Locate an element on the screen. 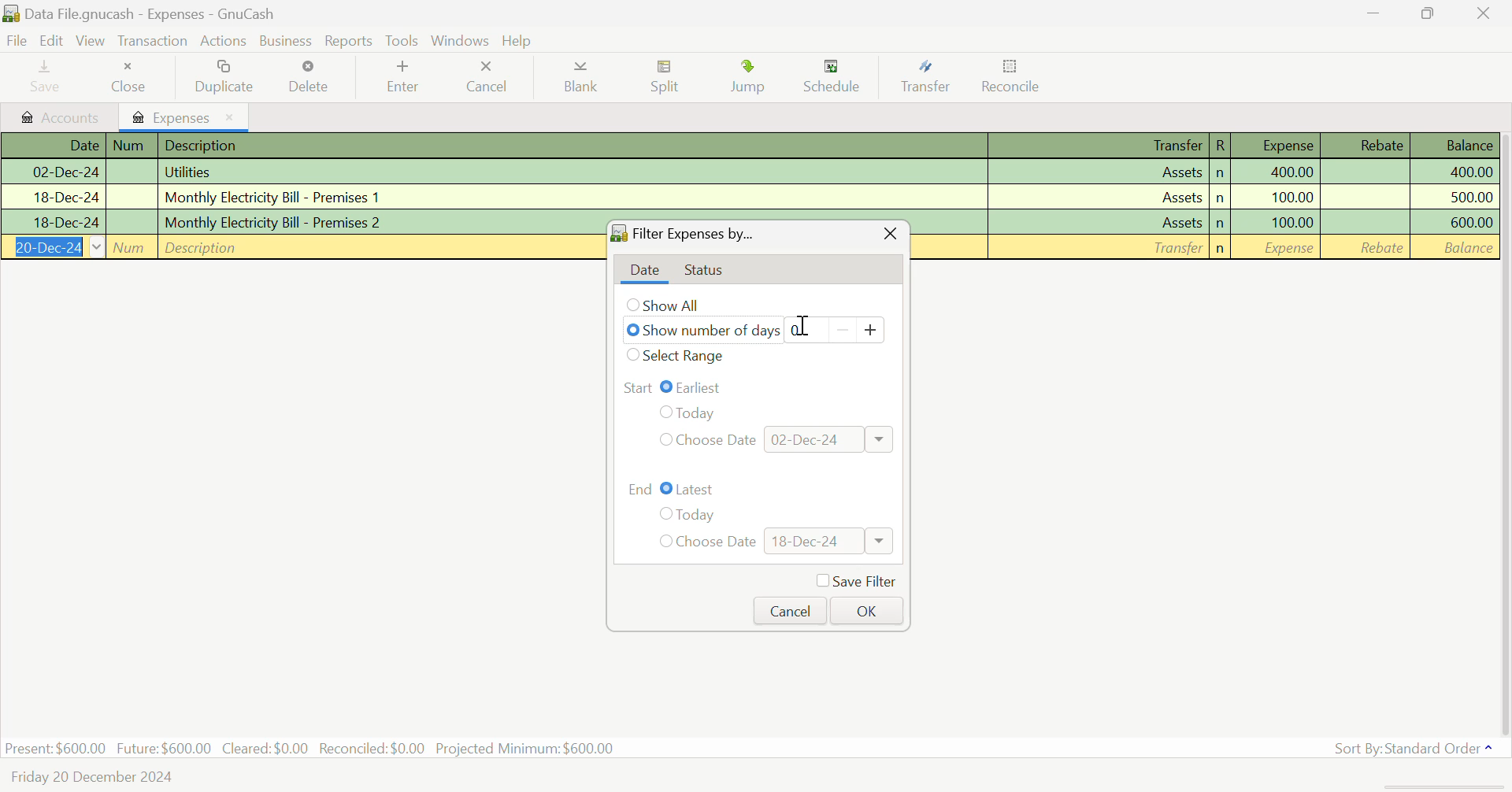 The image size is (1512, 792). Days counter is located at coordinates (835, 331).